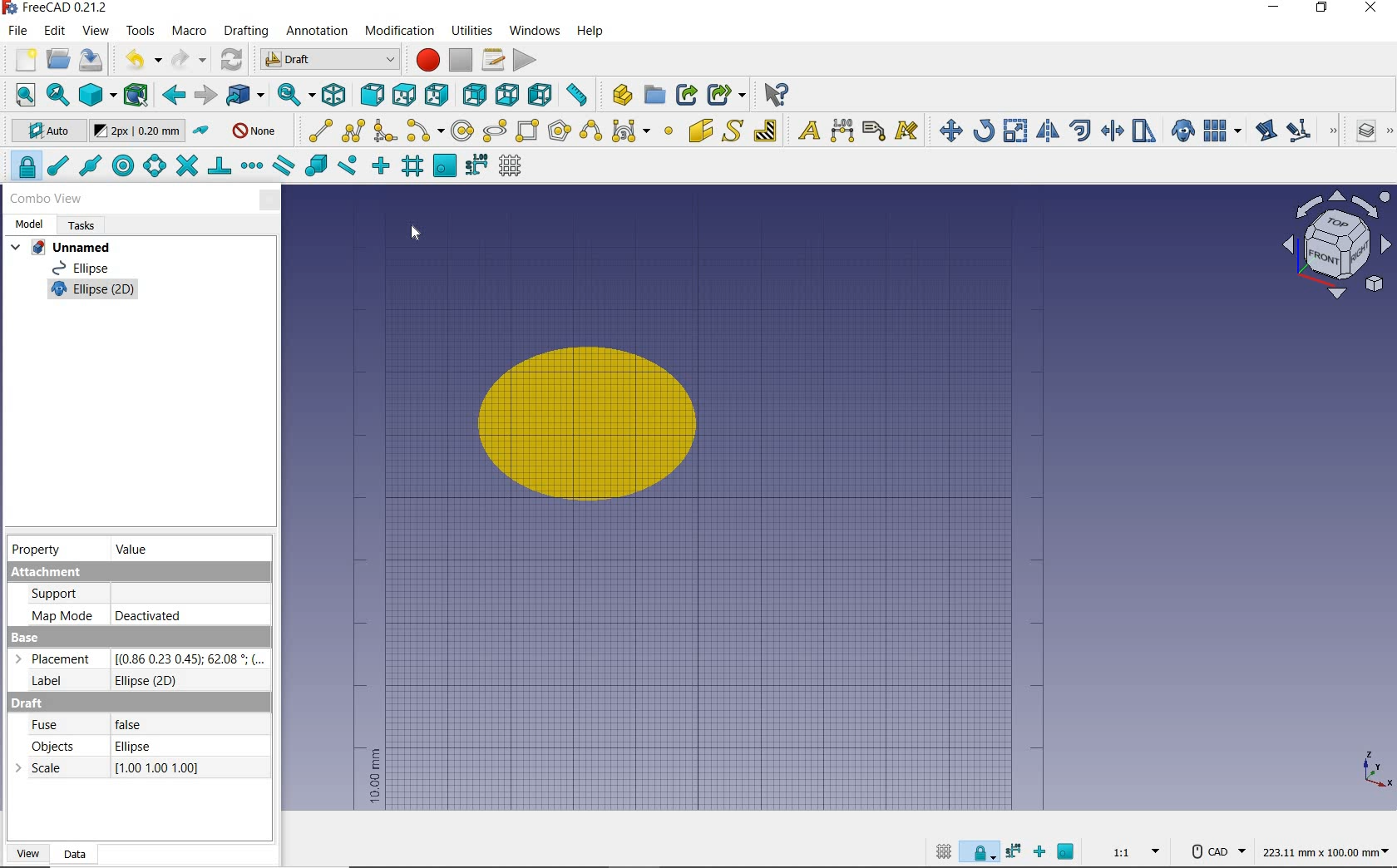  Describe the element at coordinates (56, 32) in the screenshot. I see `edit` at that location.